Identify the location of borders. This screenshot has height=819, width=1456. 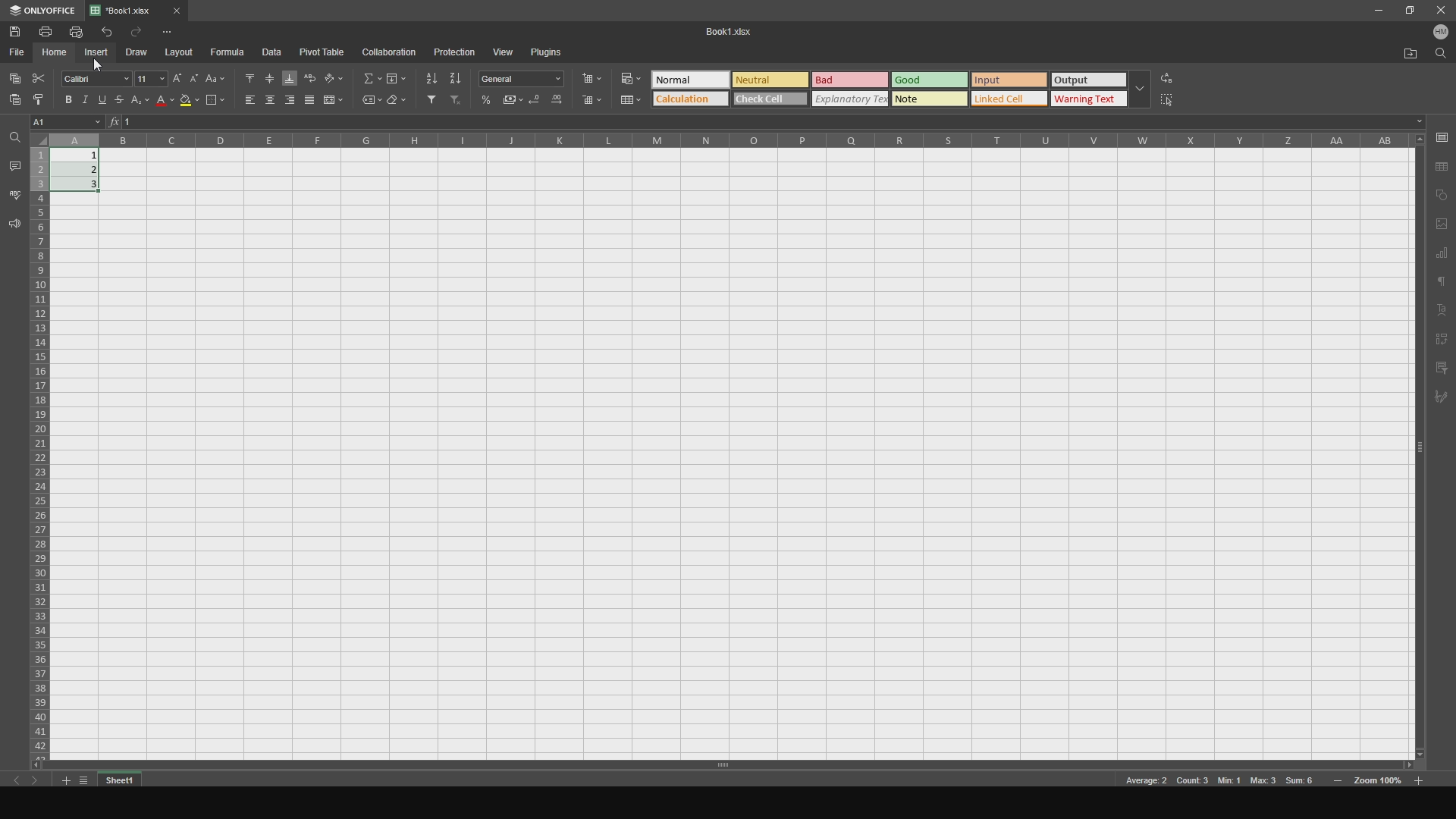
(215, 101).